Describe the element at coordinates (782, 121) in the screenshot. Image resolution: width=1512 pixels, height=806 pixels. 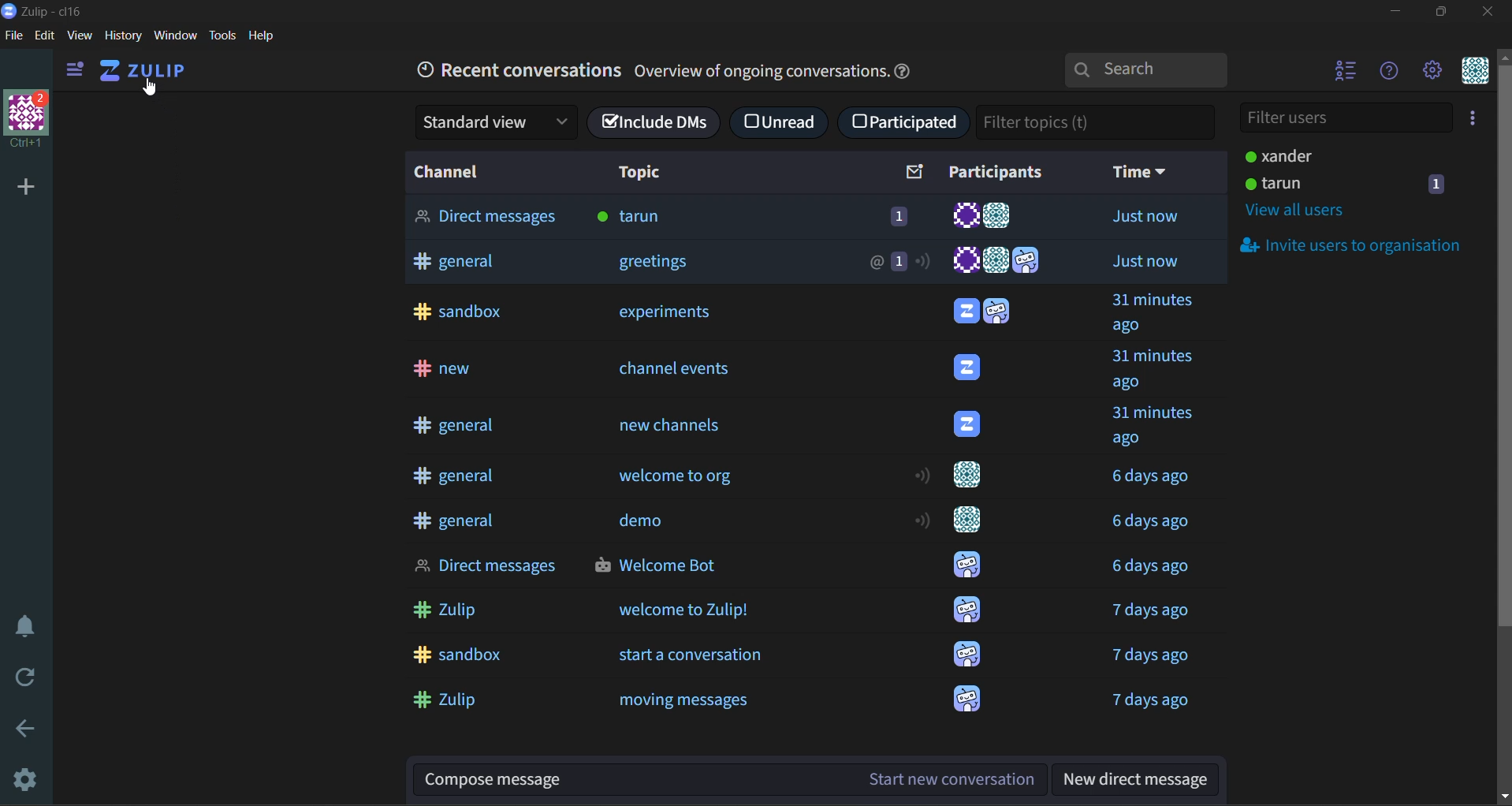
I see `unread` at that location.